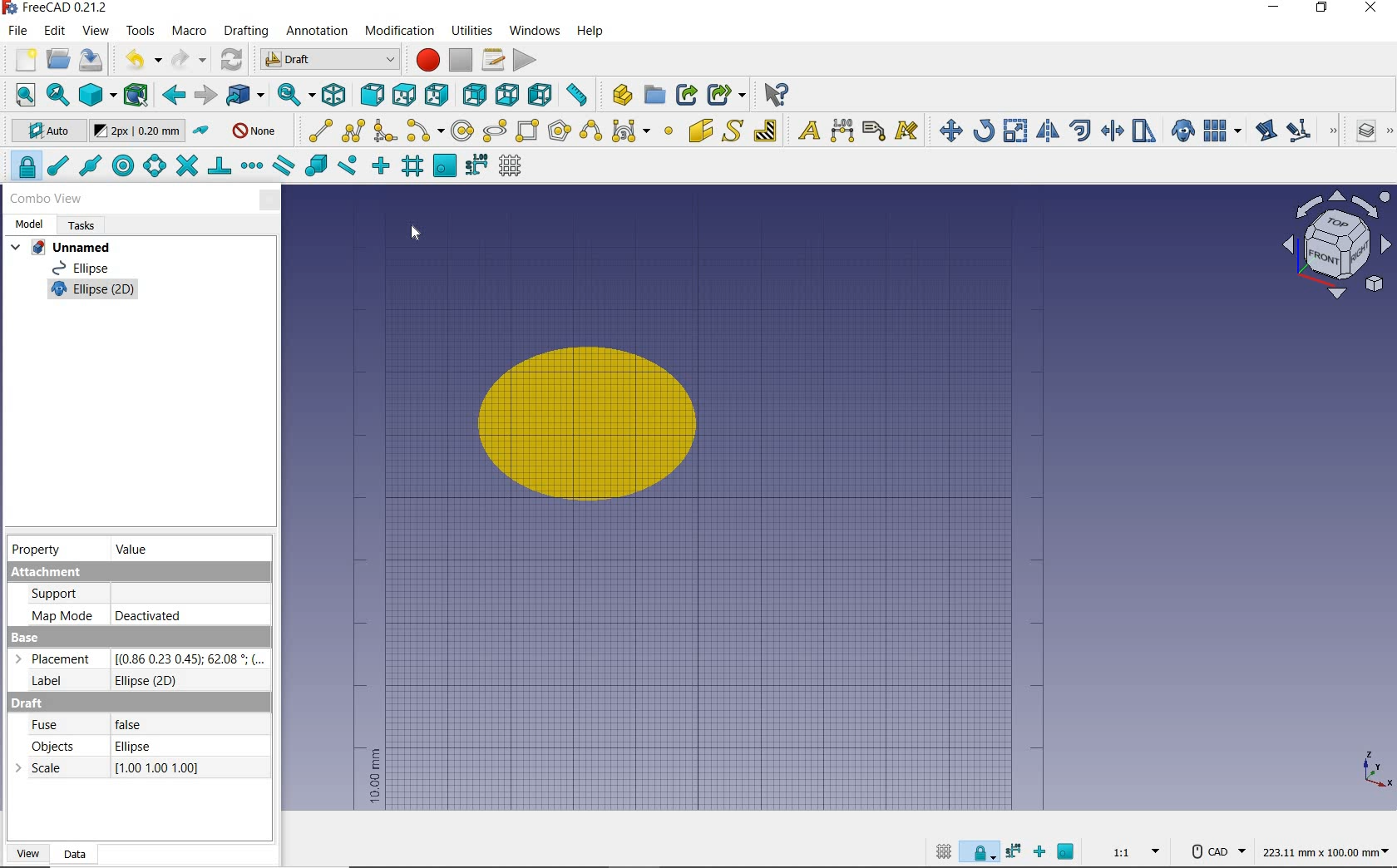 The width and height of the screenshot is (1397, 868). I want to click on fillet, so click(387, 131).